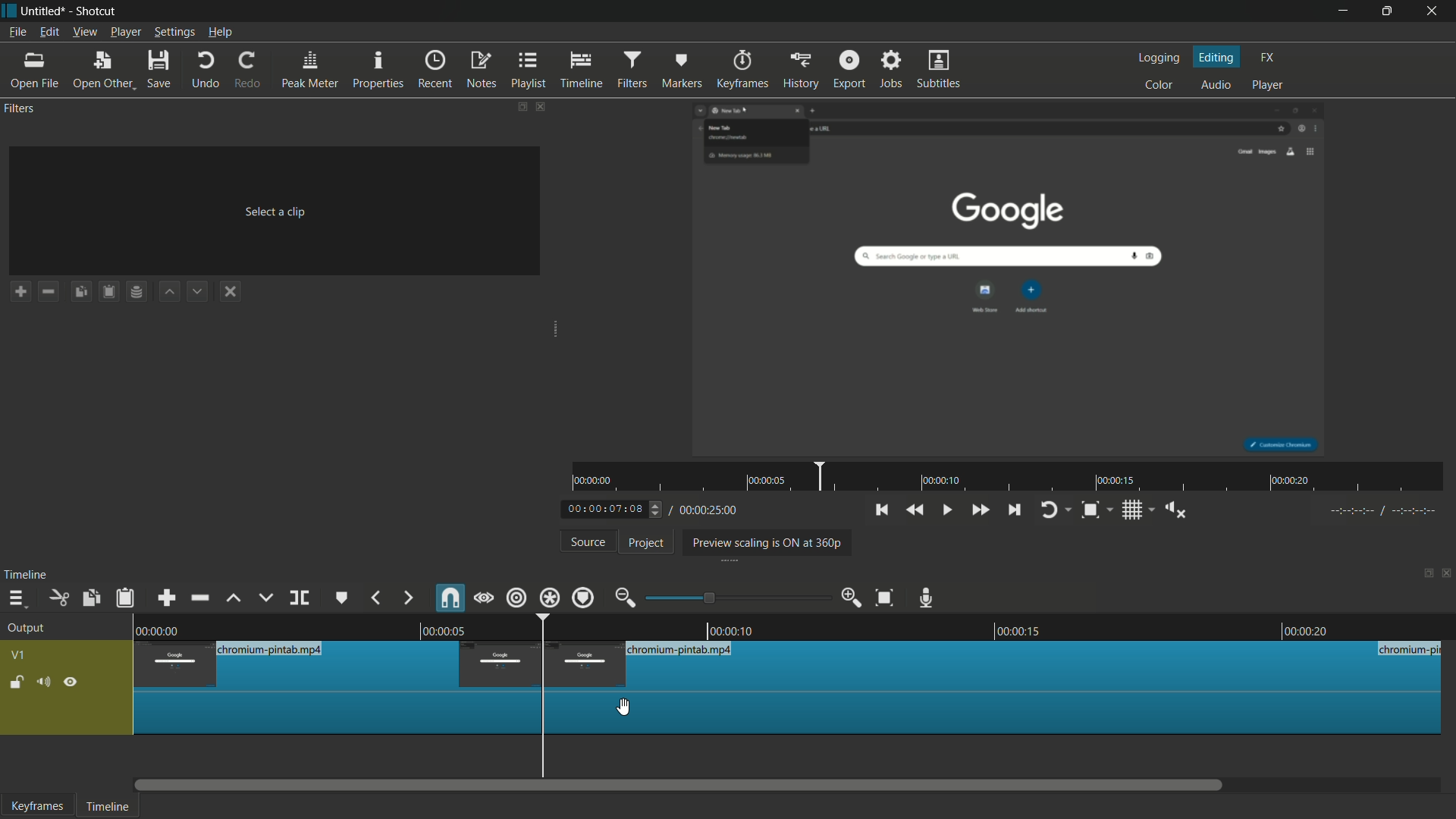  Describe the element at coordinates (485, 600) in the screenshot. I see `scrub while dragging` at that location.